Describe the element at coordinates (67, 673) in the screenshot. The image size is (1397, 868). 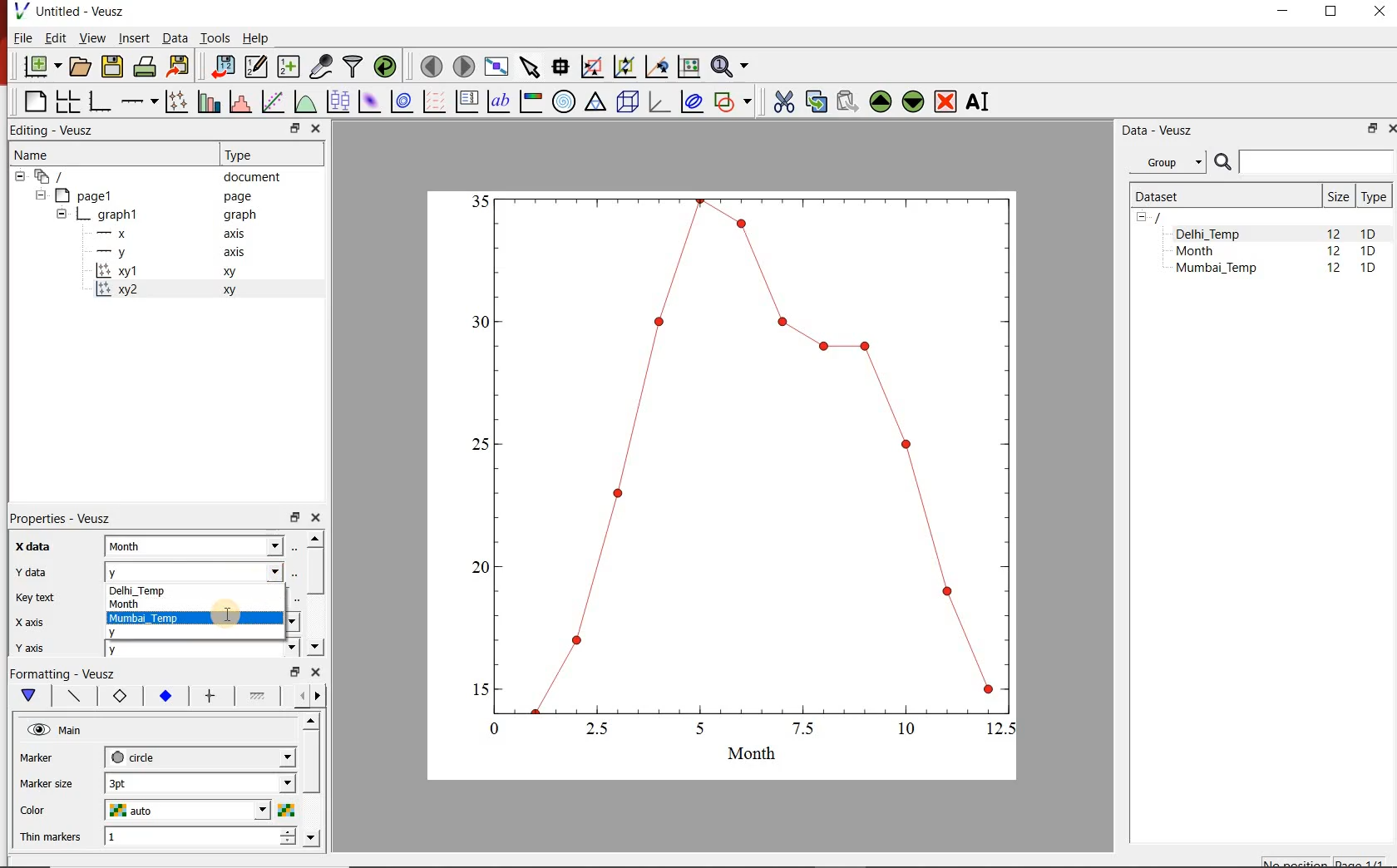
I see `Formatting - Veusz` at that location.